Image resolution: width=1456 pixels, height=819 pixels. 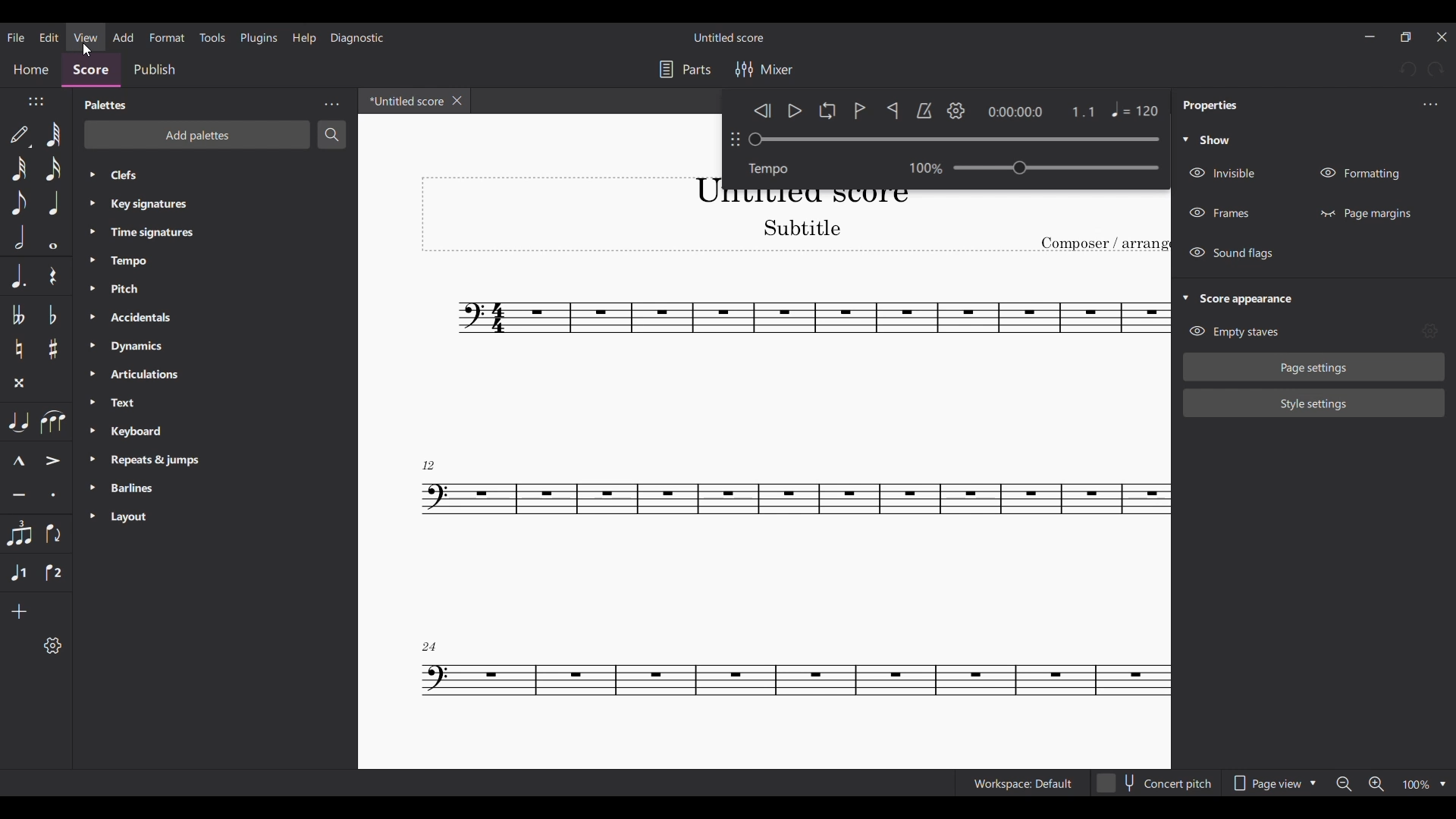 What do you see at coordinates (1442, 37) in the screenshot?
I see `Close interface` at bounding box center [1442, 37].